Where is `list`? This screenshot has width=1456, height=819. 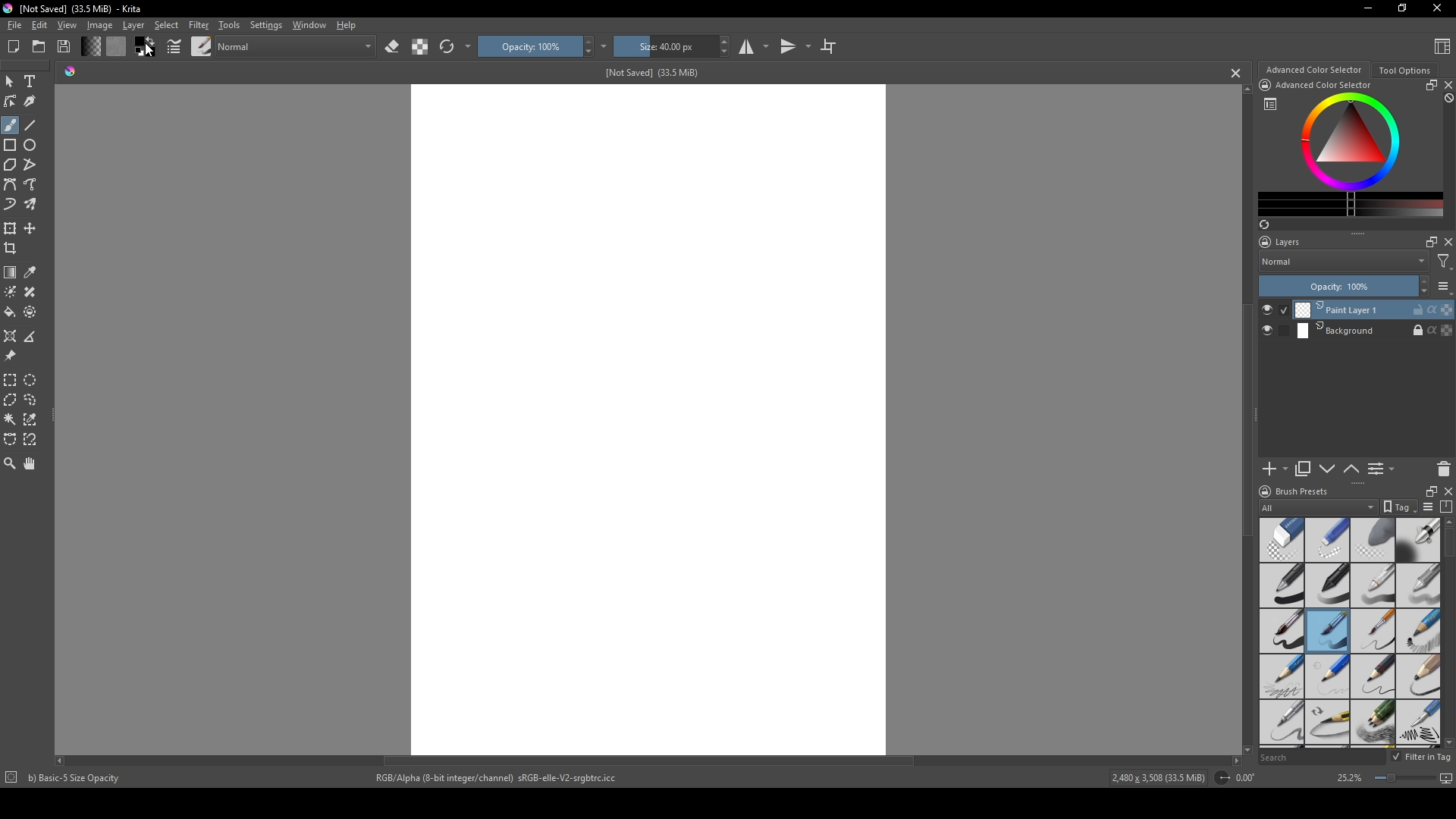 list is located at coordinates (1270, 104).